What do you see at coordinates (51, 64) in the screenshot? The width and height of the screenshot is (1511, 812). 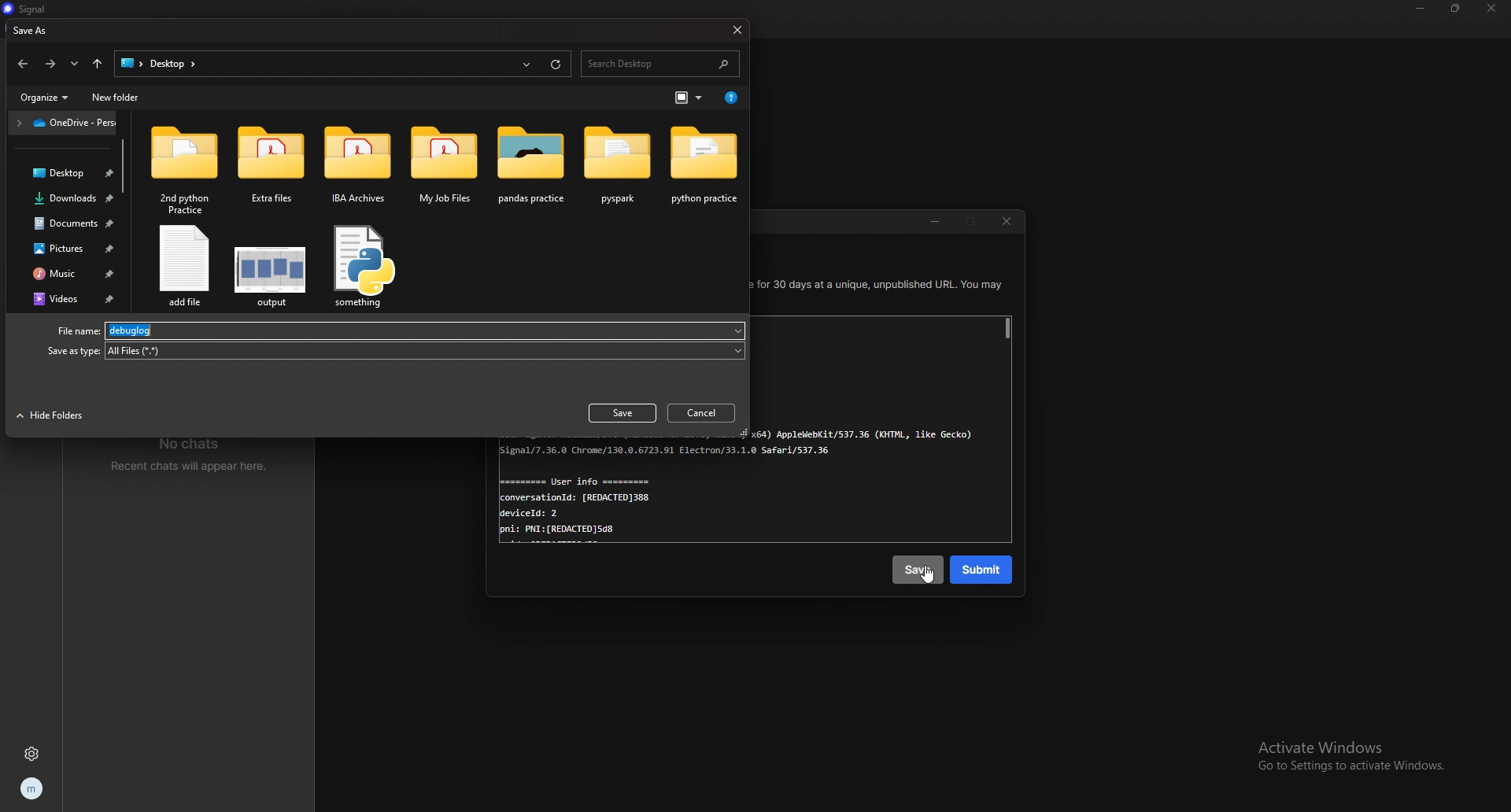 I see `forward` at bounding box center [51, 64].